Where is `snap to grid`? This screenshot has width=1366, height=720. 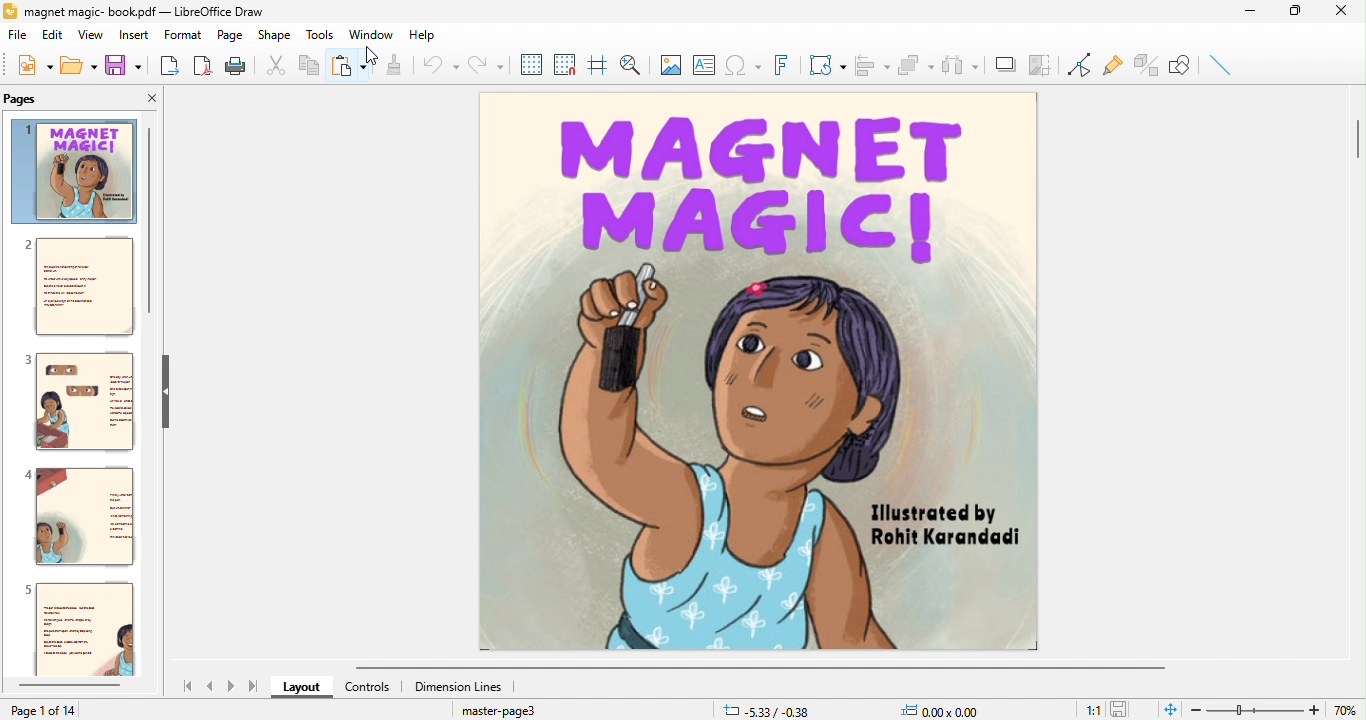 snap to grid is located at coordinates (564, 66).